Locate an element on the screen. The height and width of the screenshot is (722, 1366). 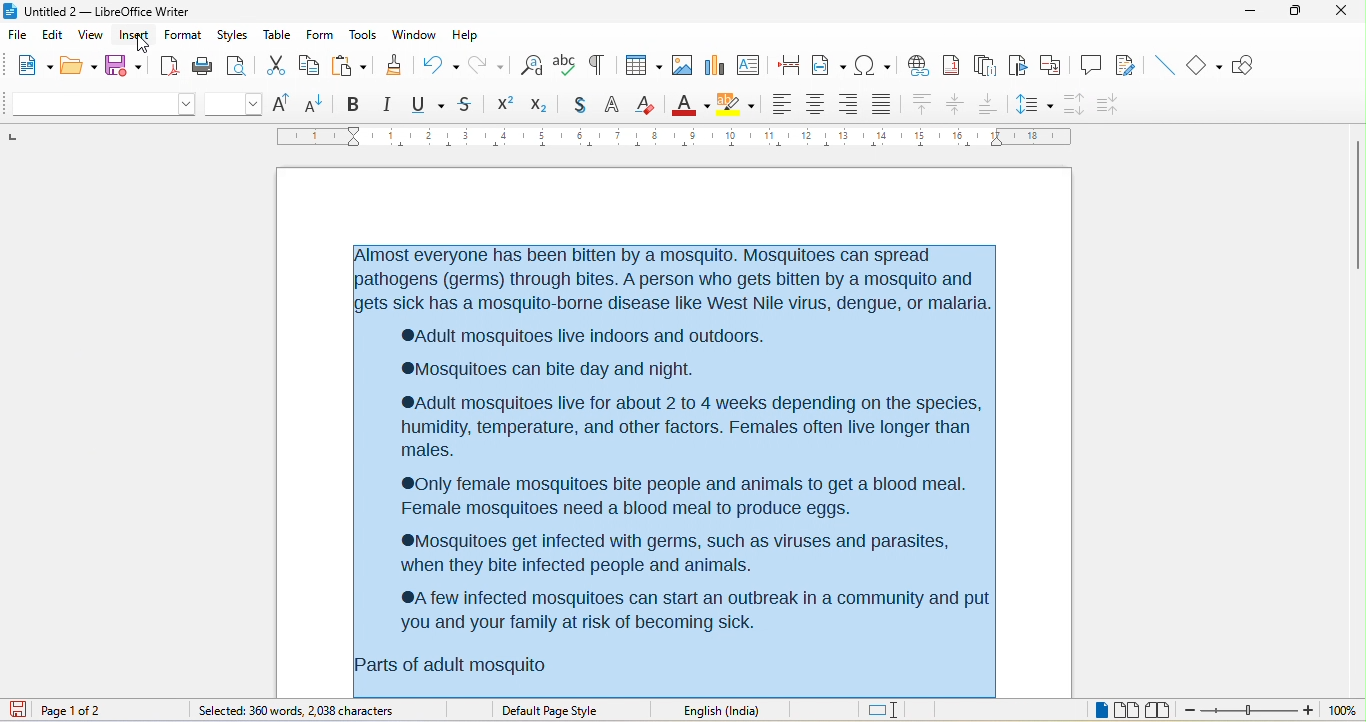
redo is located at coordinates (485, 64).